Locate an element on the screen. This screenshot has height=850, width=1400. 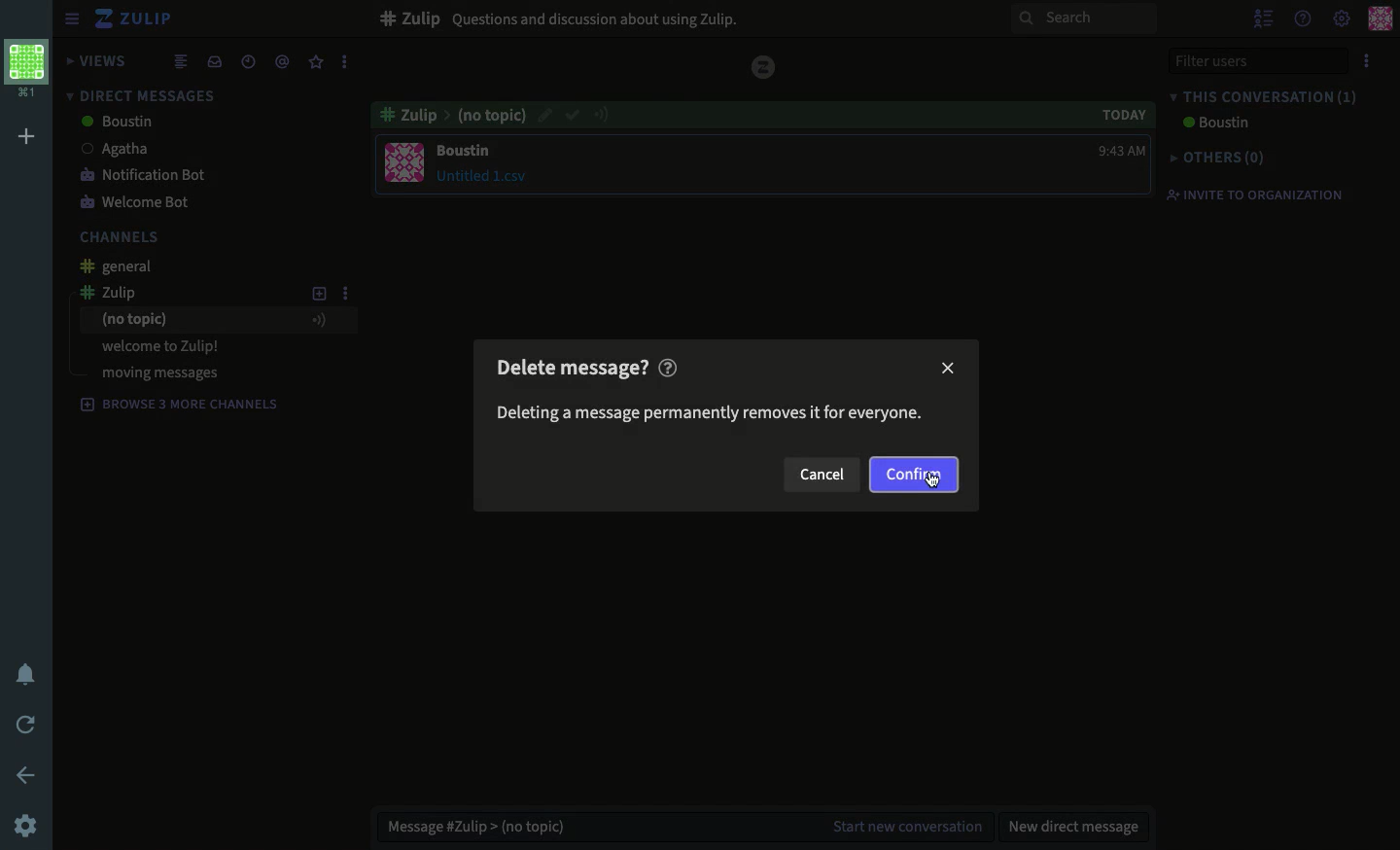
welcome bot is located at coordinates (139, 202).